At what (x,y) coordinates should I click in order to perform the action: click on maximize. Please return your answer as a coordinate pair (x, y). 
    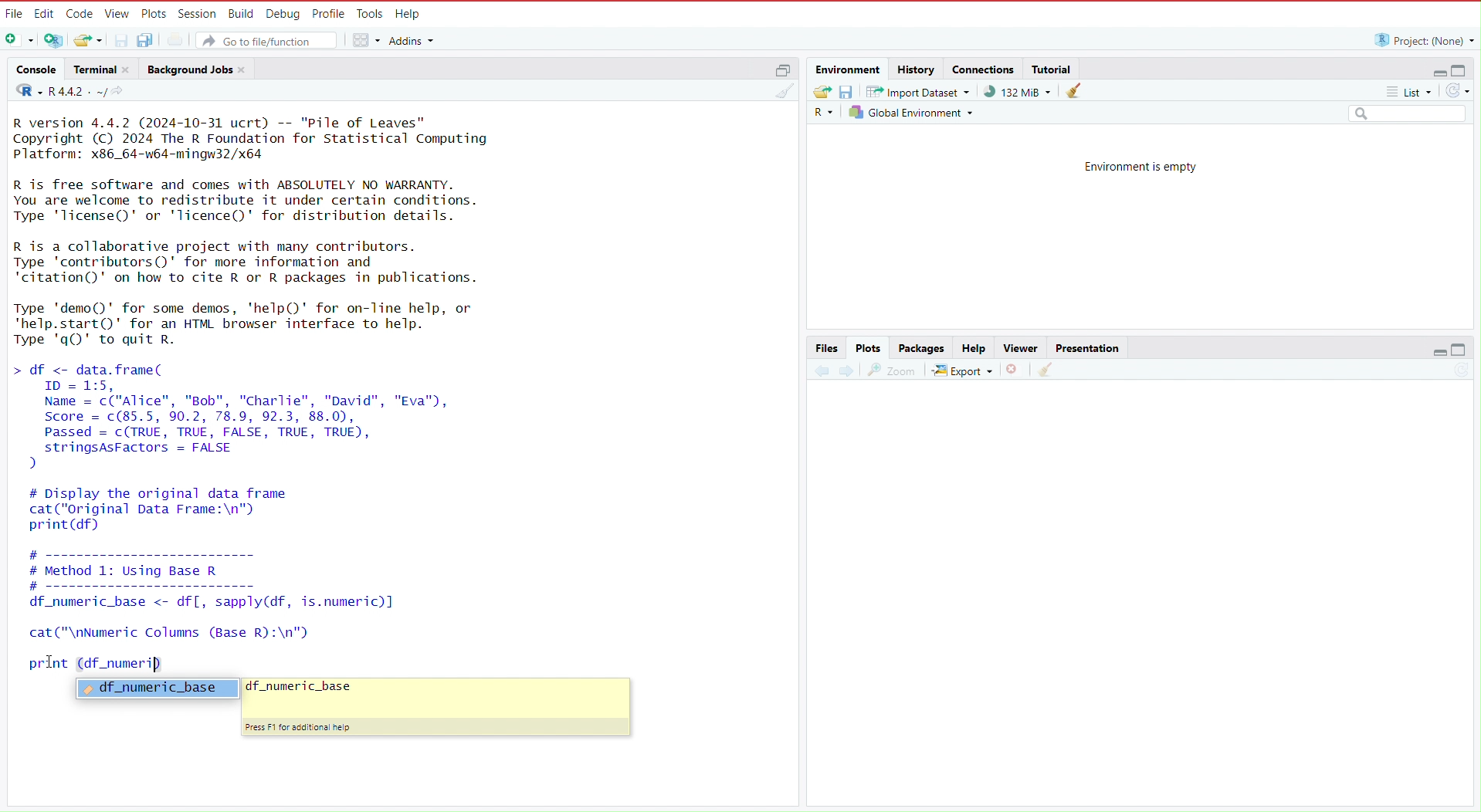
    Looking at the image, I should click on (1467, 350).